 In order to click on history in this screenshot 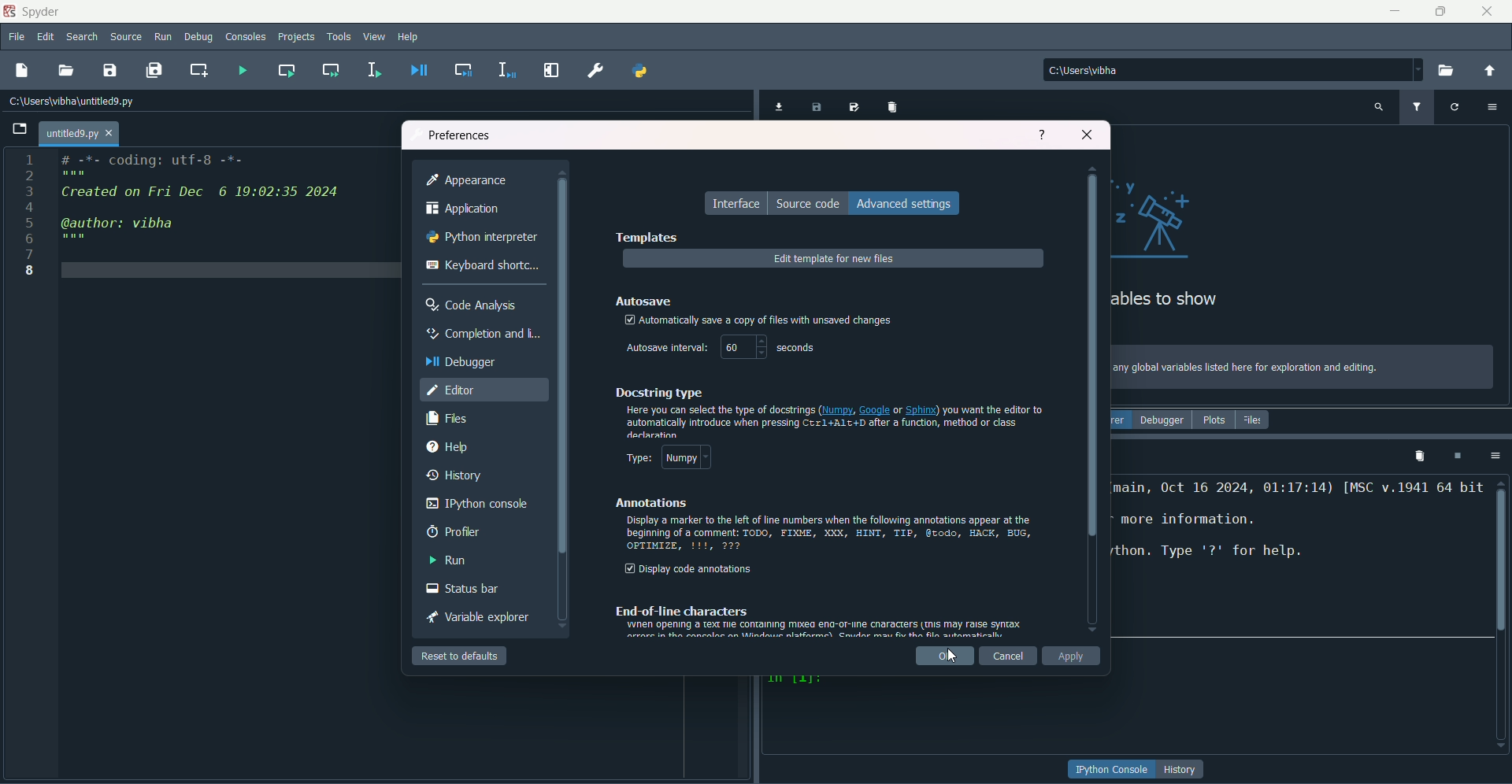, I will do `click(451, 477)`.